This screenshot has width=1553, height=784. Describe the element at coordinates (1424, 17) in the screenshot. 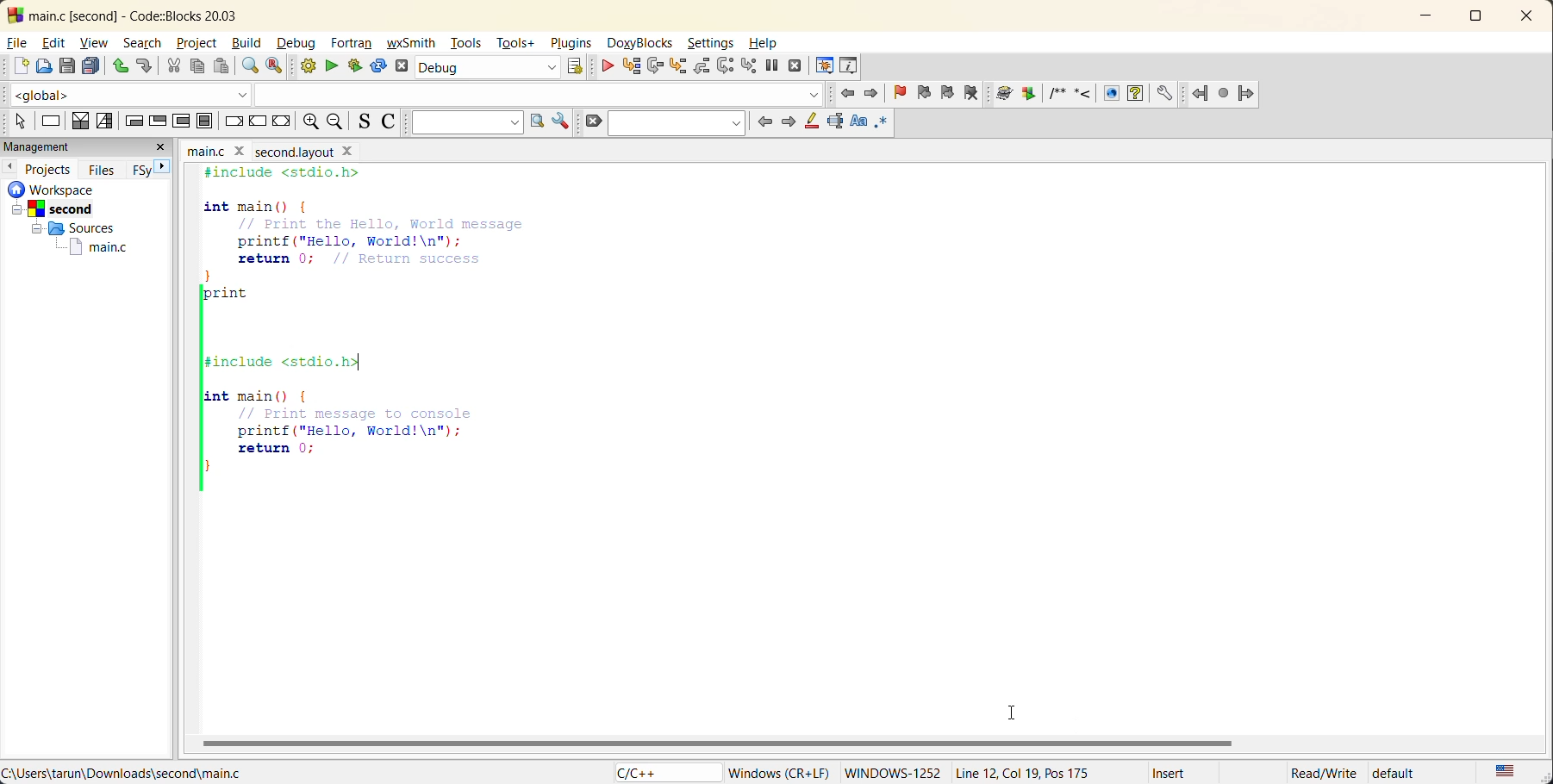

I see `minimize` at that location.